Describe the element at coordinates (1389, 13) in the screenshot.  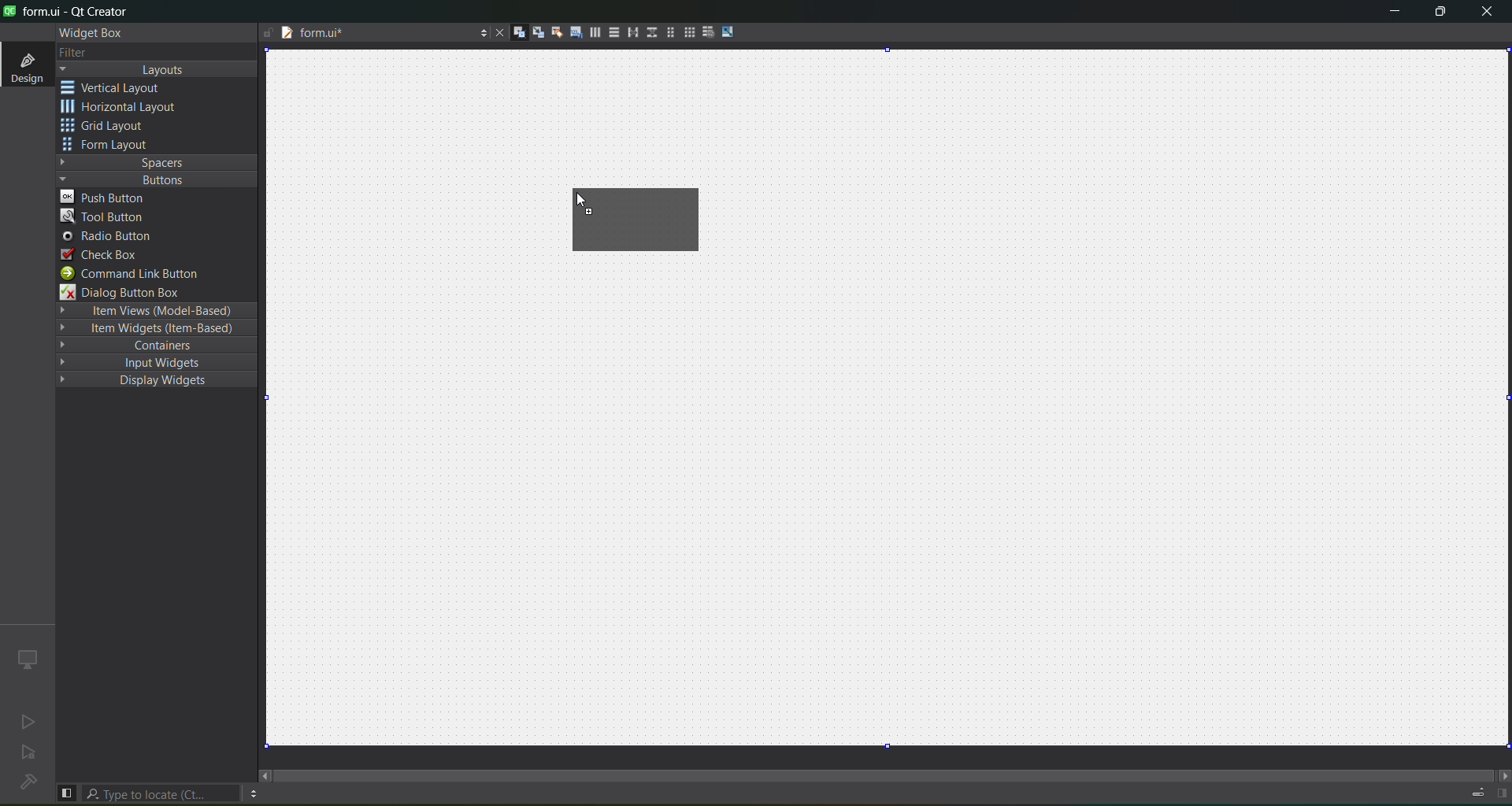
I see `minimize` at that location.